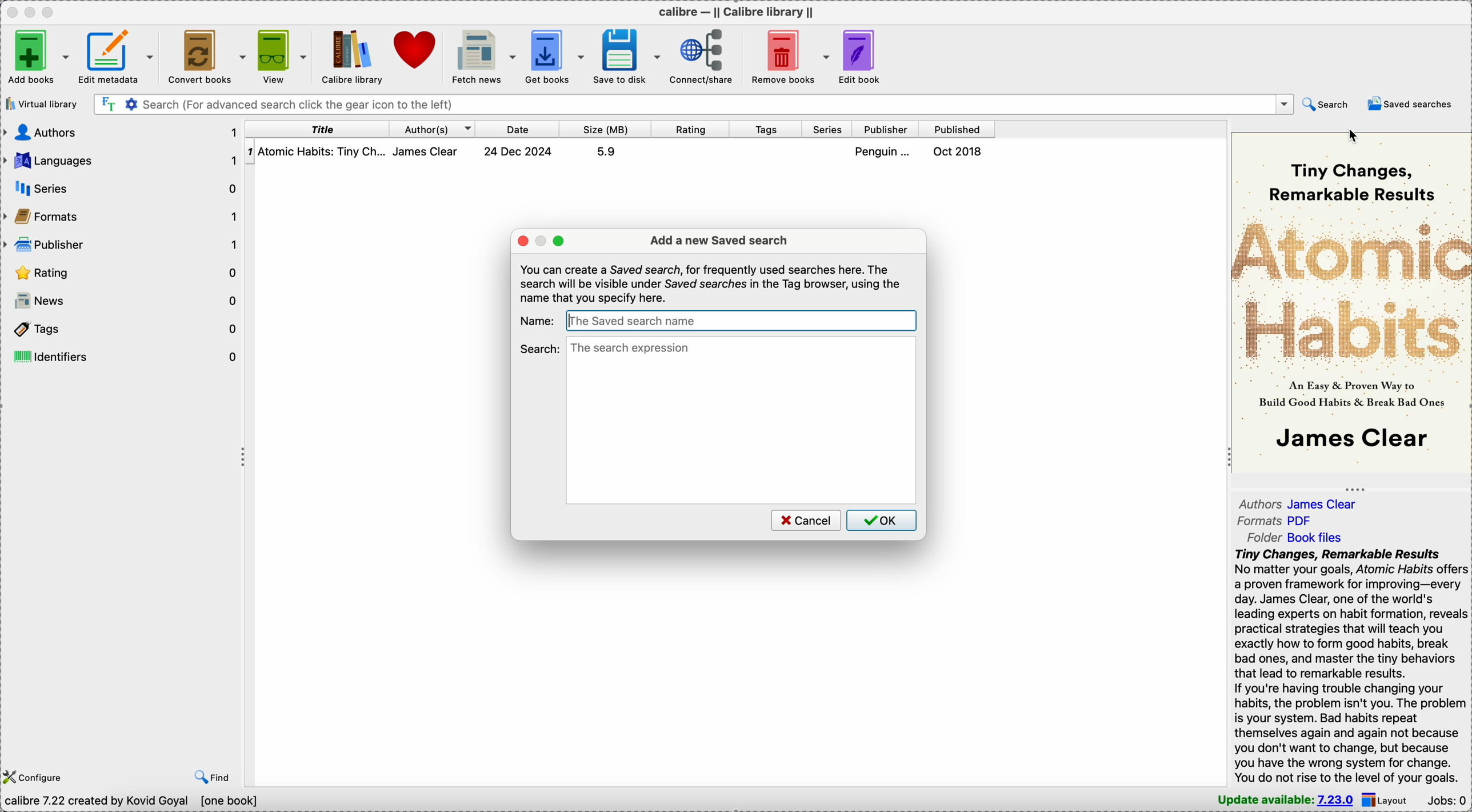 This screenshot has width=1472, height=812. What do you see at coordinates (1325, 103) in the screenshot?
I see `search` at bounding box center [1325, 103].